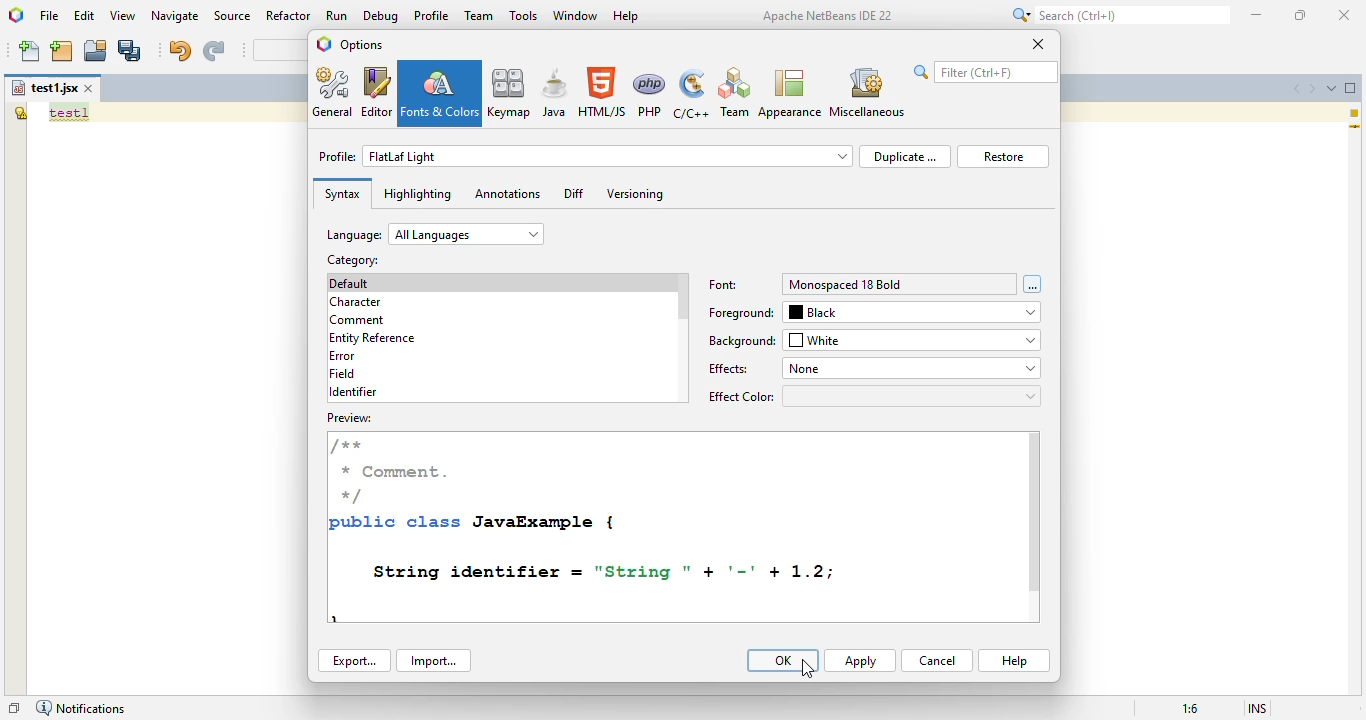 The image size is (1366, 720). Describe the element at coordinates (1038, 44) in the screenshot. I see `close` at that location.